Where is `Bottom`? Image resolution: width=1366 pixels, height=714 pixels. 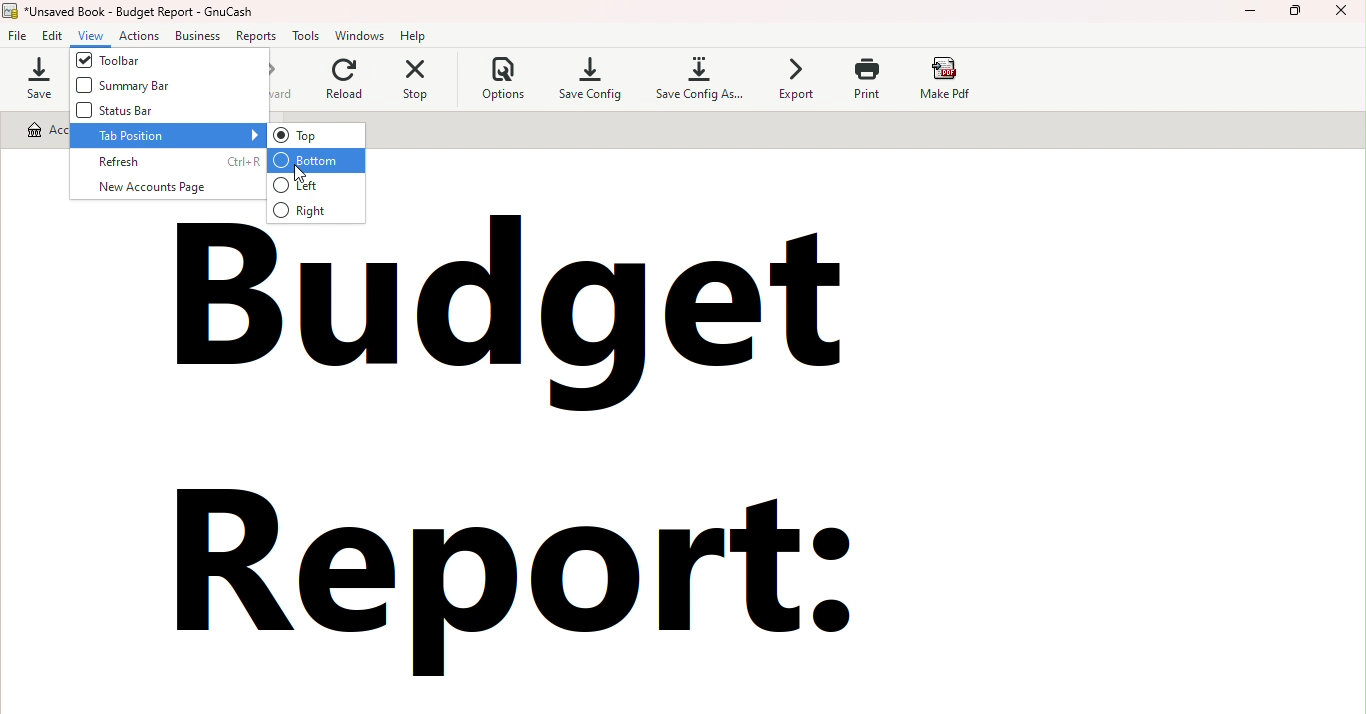
Bottom is located at coordinates (318, 160).